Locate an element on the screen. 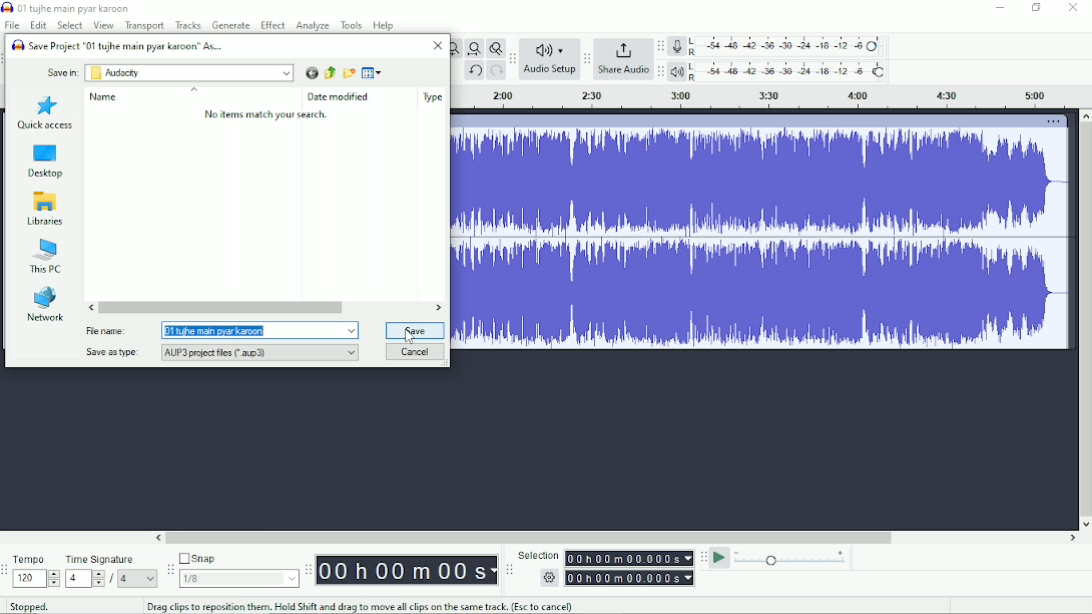 The image size is (1092, 614). Libraries is located at coordinates (46, 209).